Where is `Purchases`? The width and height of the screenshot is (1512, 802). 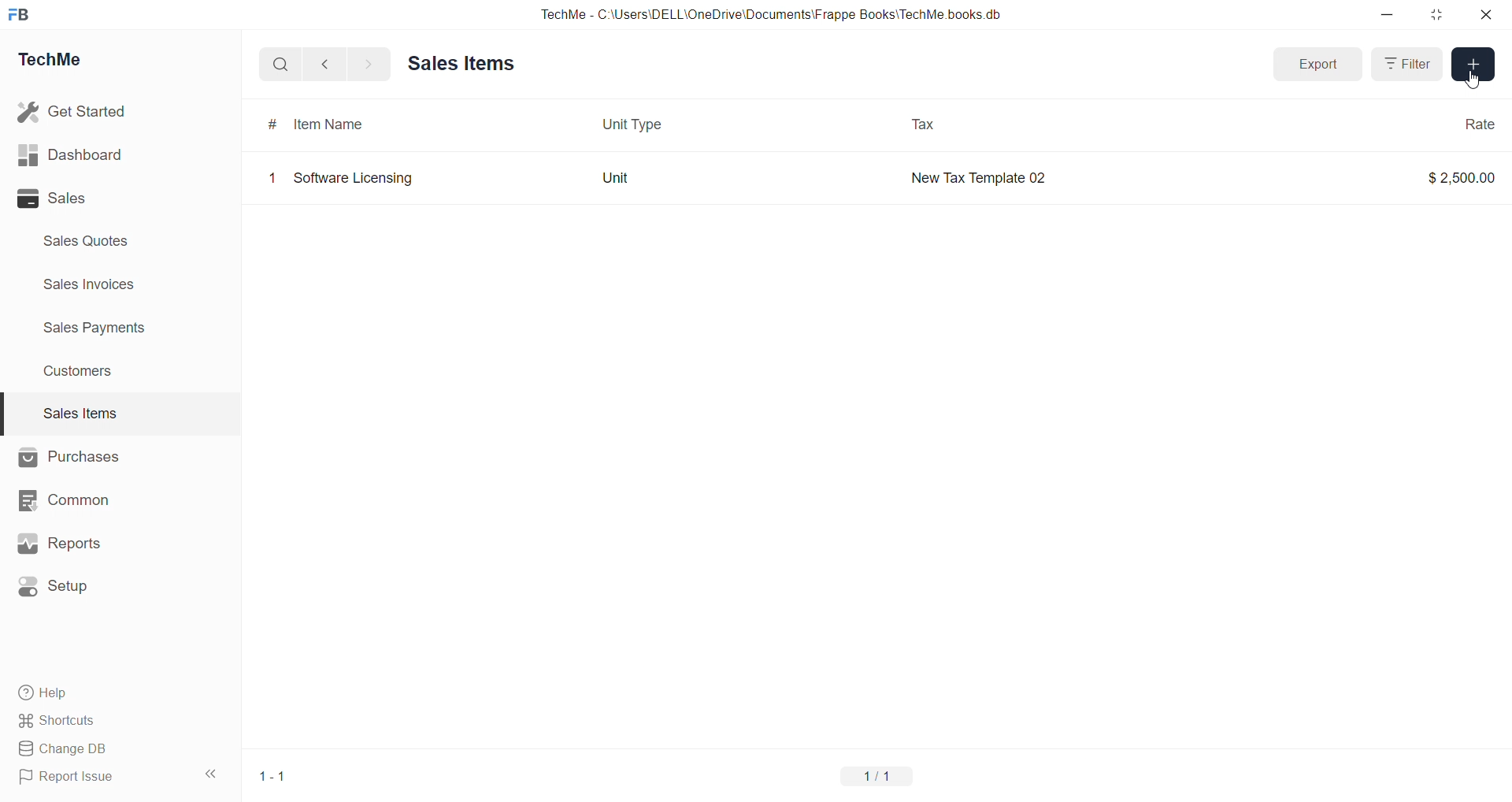
Purchases is located at coordinates (70, 458).